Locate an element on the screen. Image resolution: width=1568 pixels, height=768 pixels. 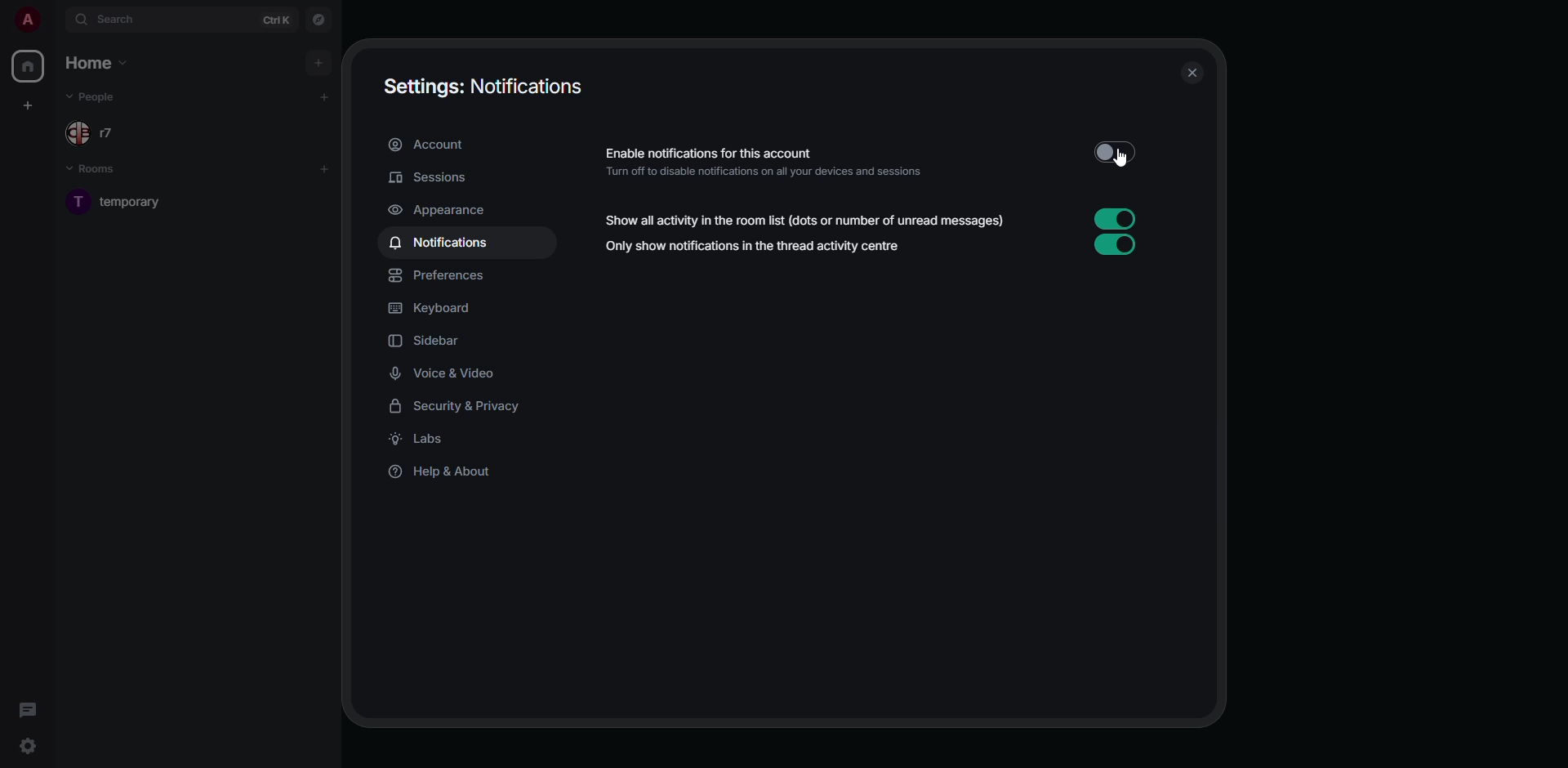
voice & video is located at coordinates (446, 373).